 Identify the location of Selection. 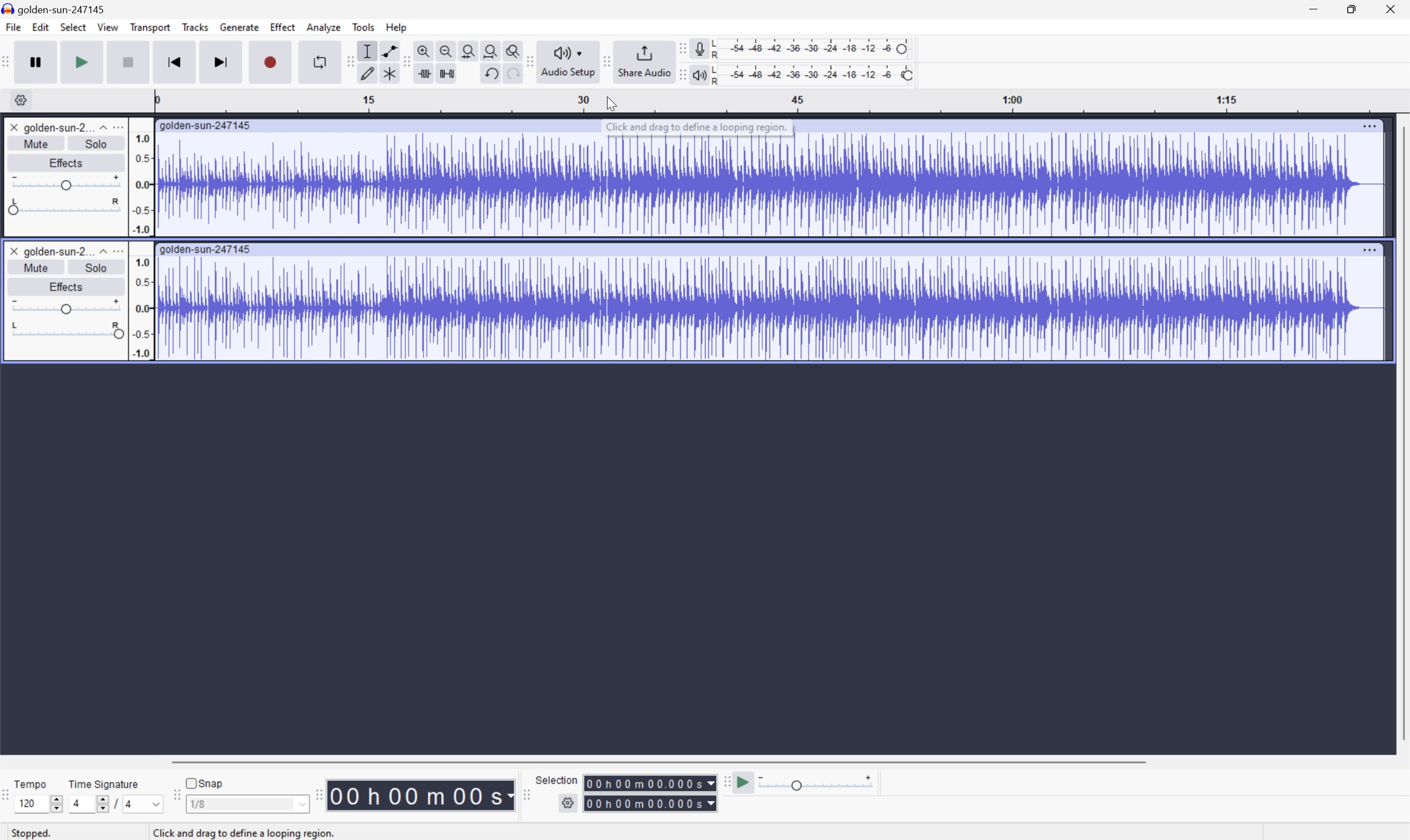
(651, 793).